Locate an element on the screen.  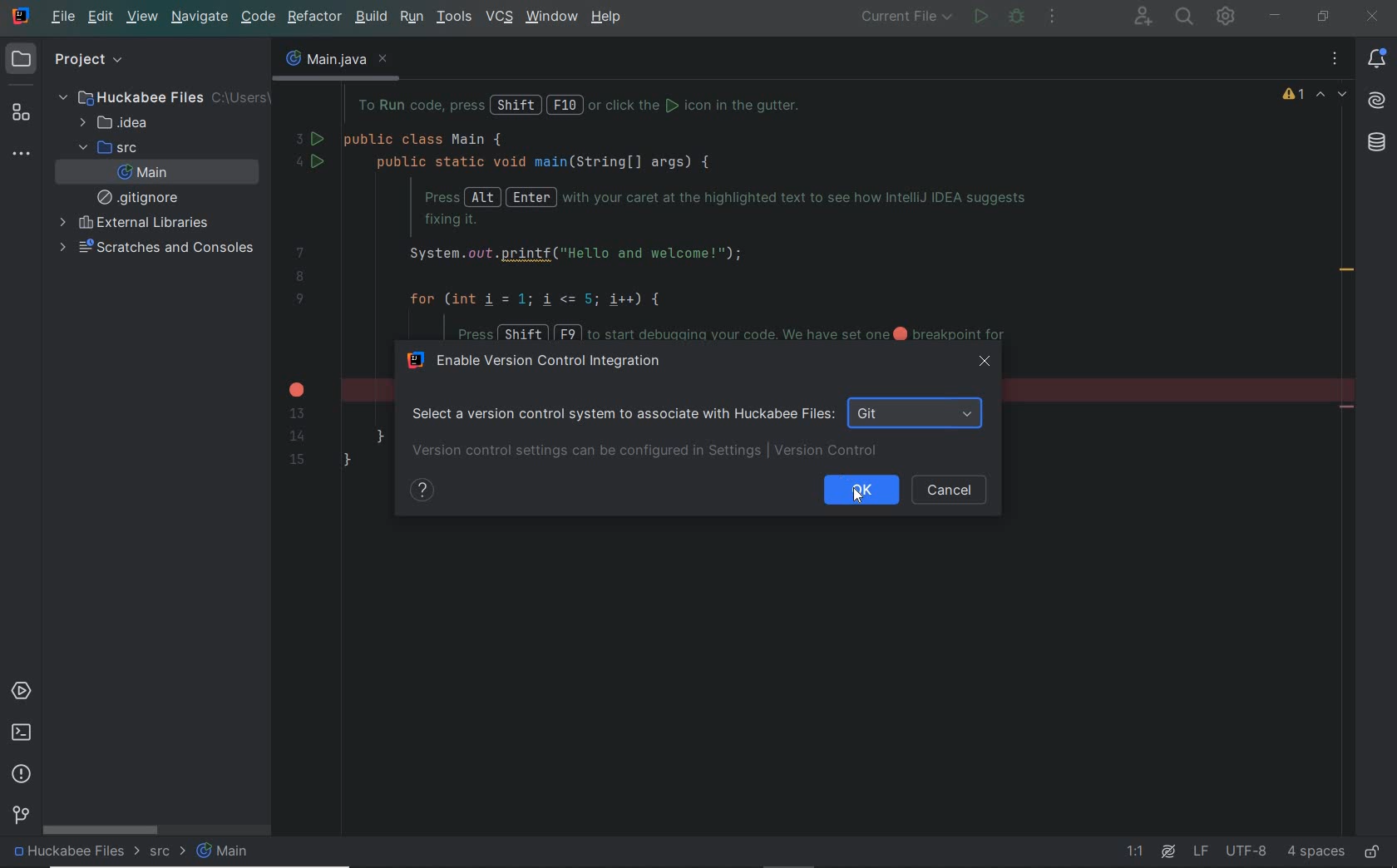
run is located at coordinates (981, 17).